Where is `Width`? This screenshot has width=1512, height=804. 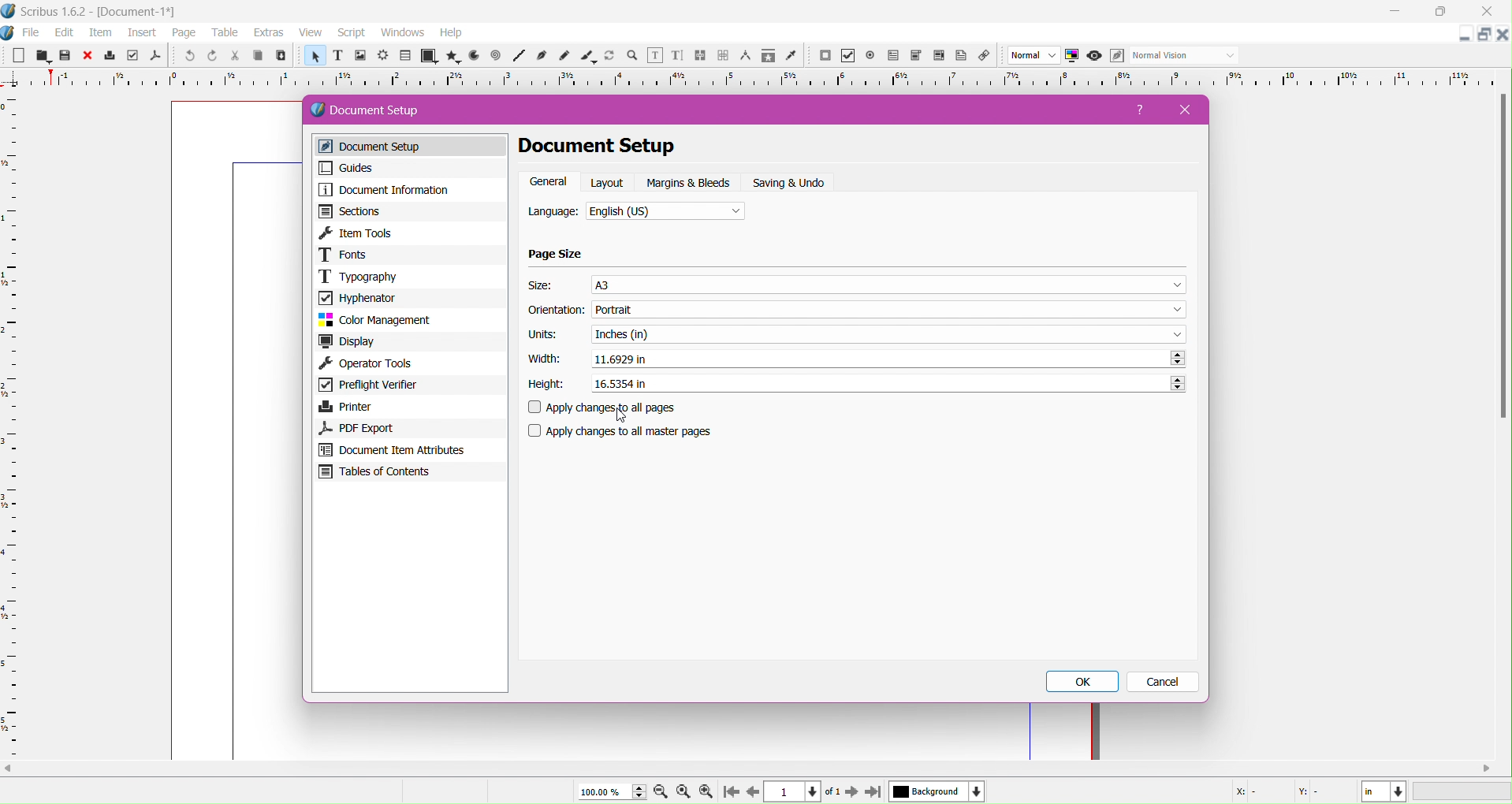 Width is located at coordinates (542, 359).